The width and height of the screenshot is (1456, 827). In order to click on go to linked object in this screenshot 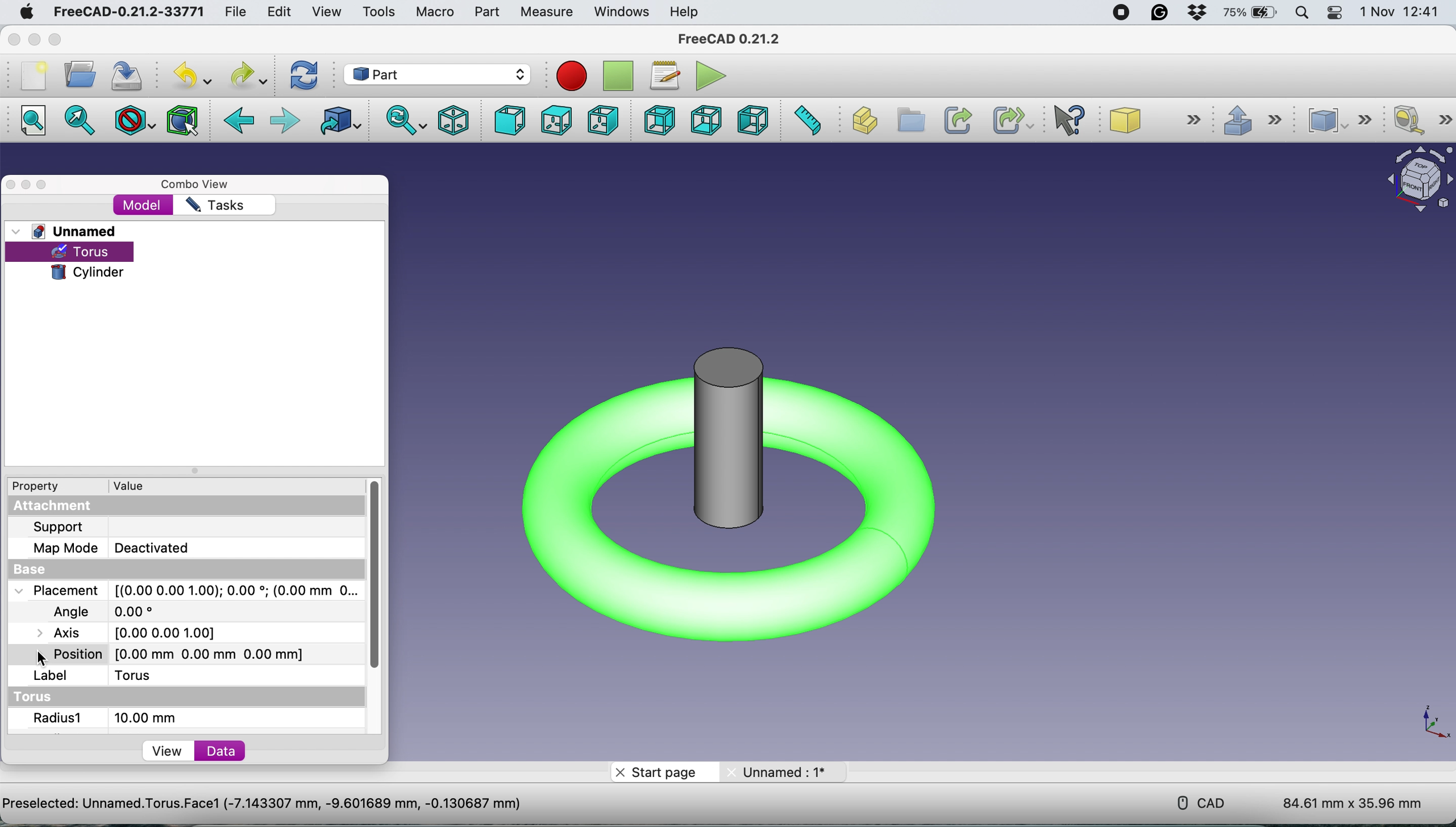, I will do `click(343, 124)`.